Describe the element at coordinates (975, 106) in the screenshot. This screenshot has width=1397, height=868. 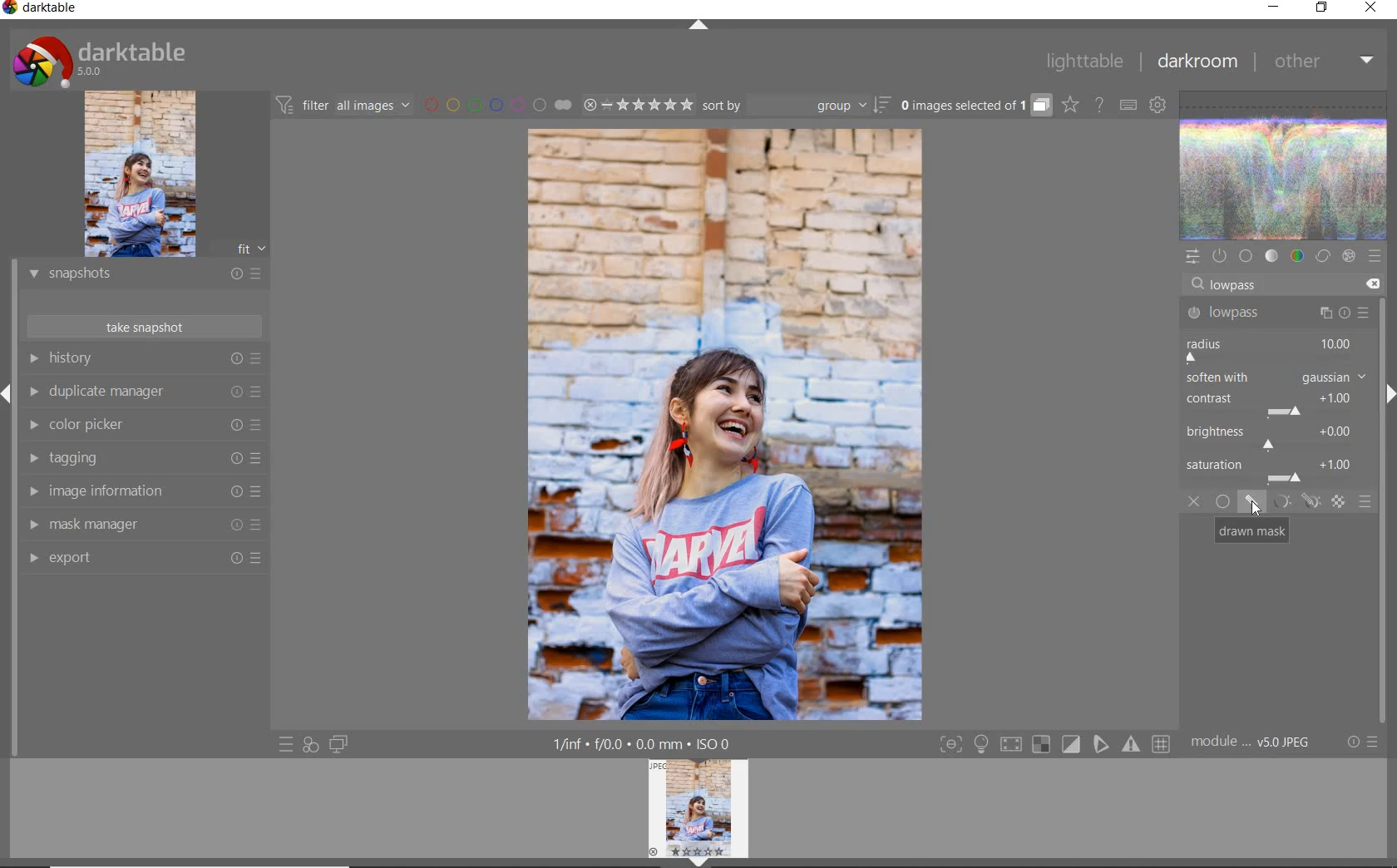
I see `grouped images` at that location.